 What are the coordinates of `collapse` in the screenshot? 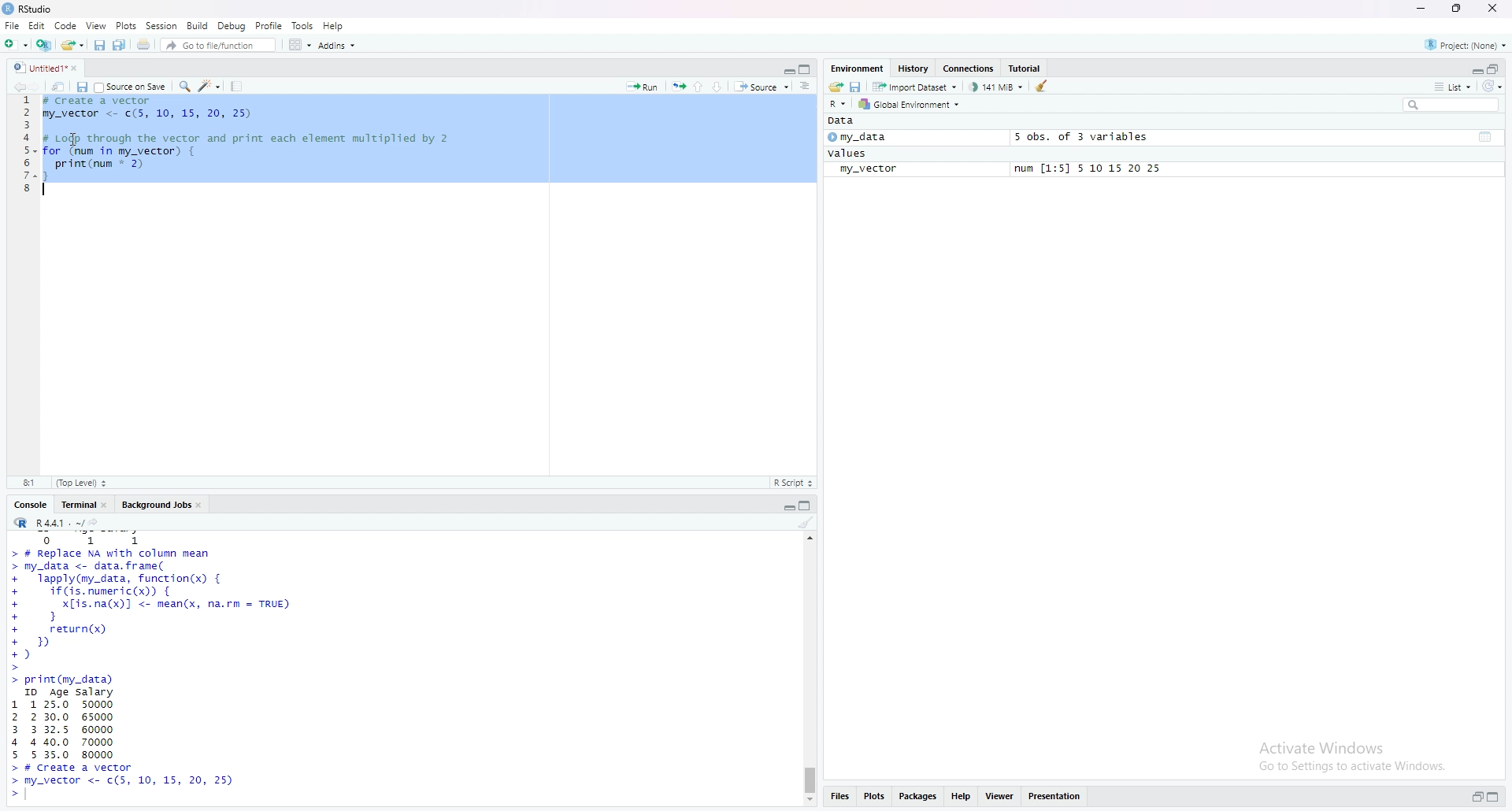 It's located at (807, 69).